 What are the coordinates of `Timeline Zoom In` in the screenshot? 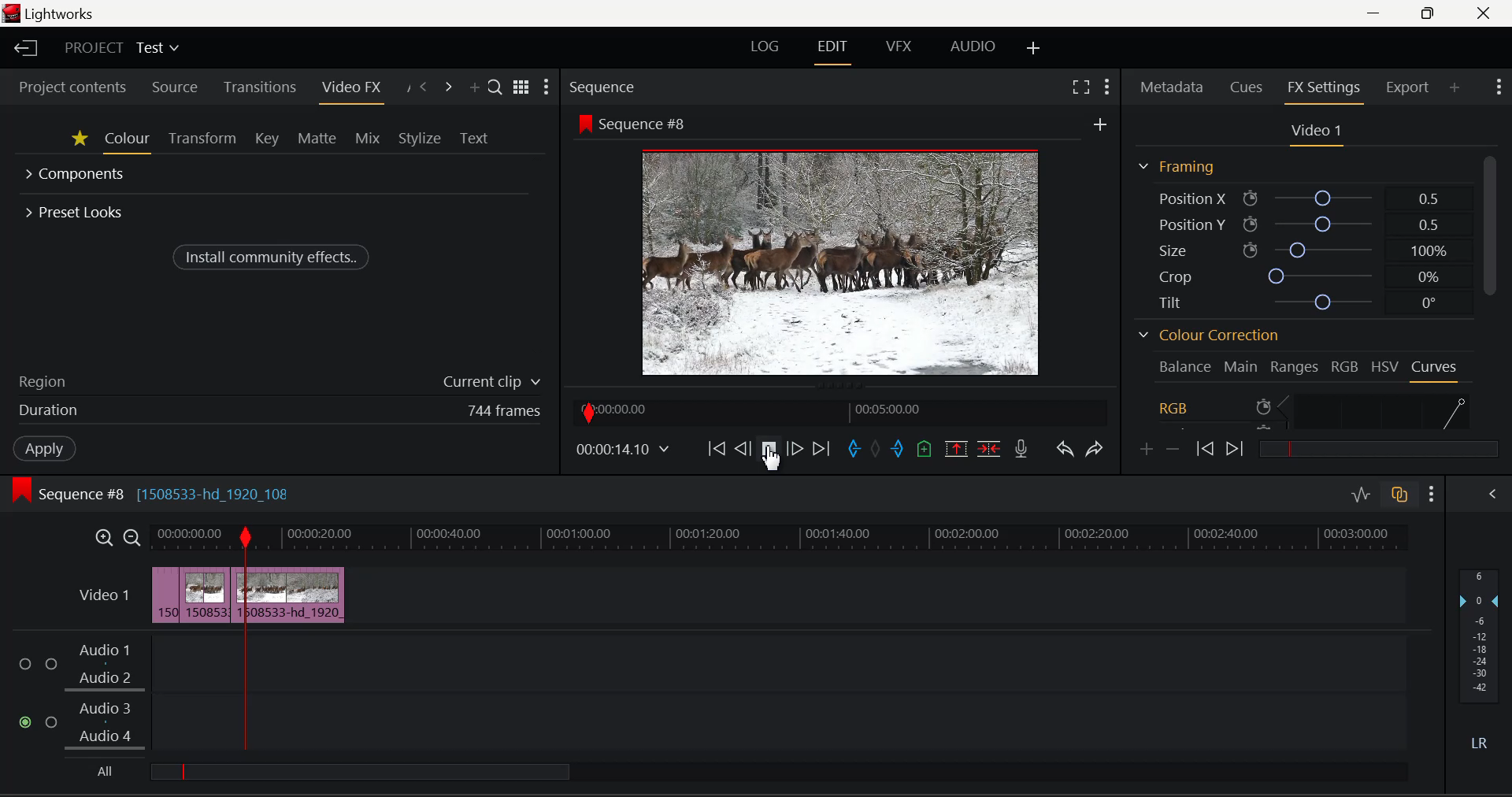 It's located at (103, 539).